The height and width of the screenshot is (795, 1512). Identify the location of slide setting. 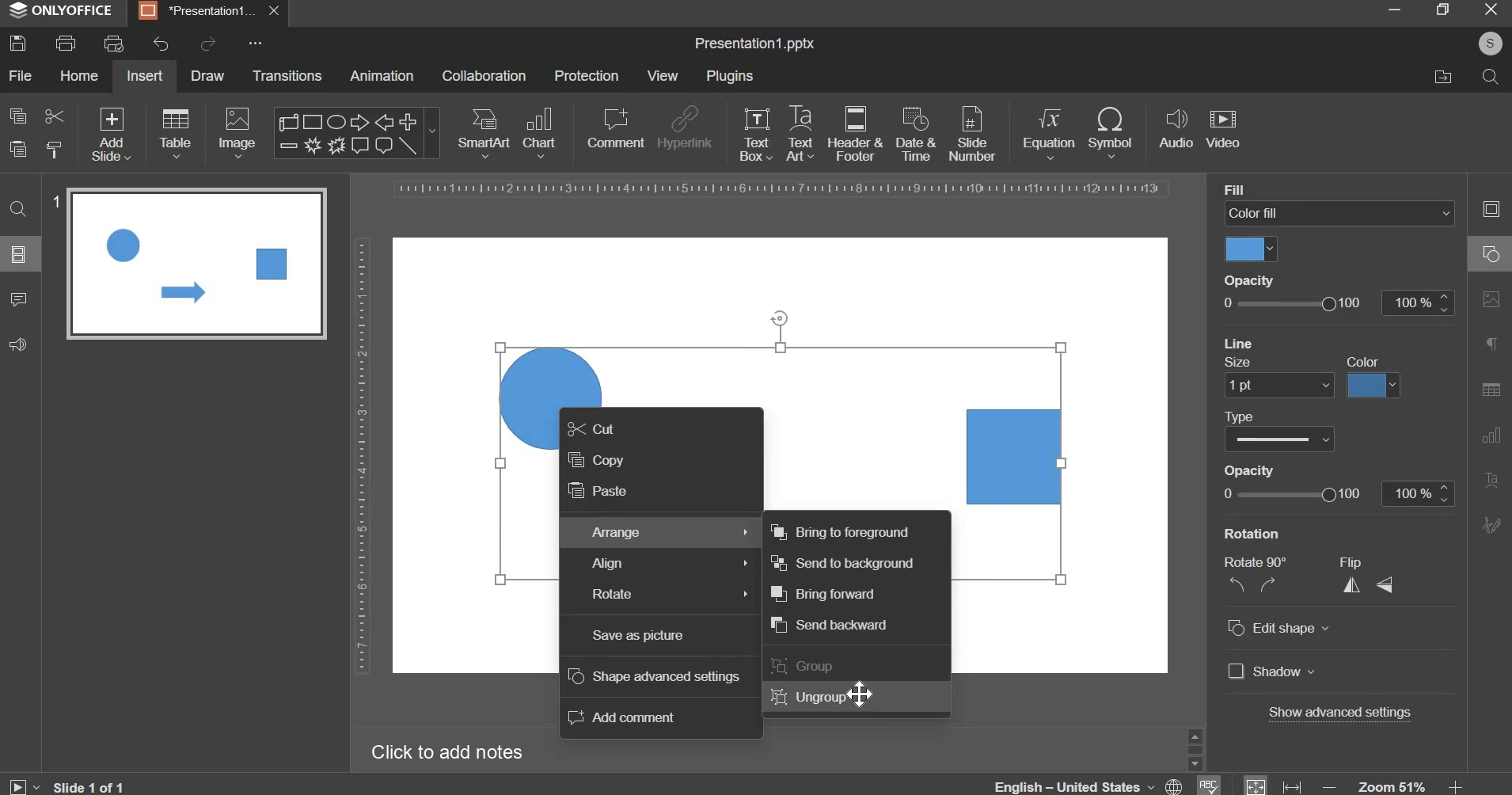
(1490, 208).